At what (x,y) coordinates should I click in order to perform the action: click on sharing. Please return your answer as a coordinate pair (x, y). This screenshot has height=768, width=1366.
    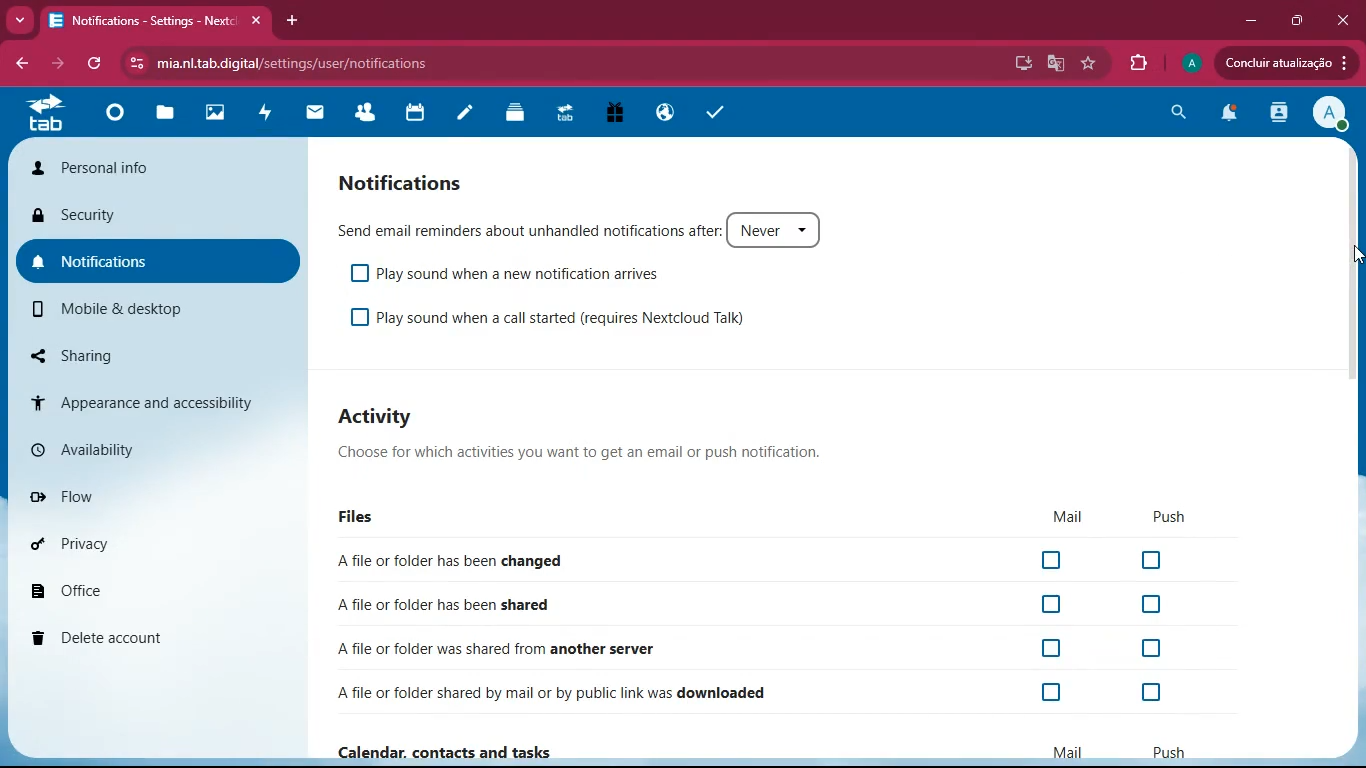
    Looking at the image, I should click on (119, 353).